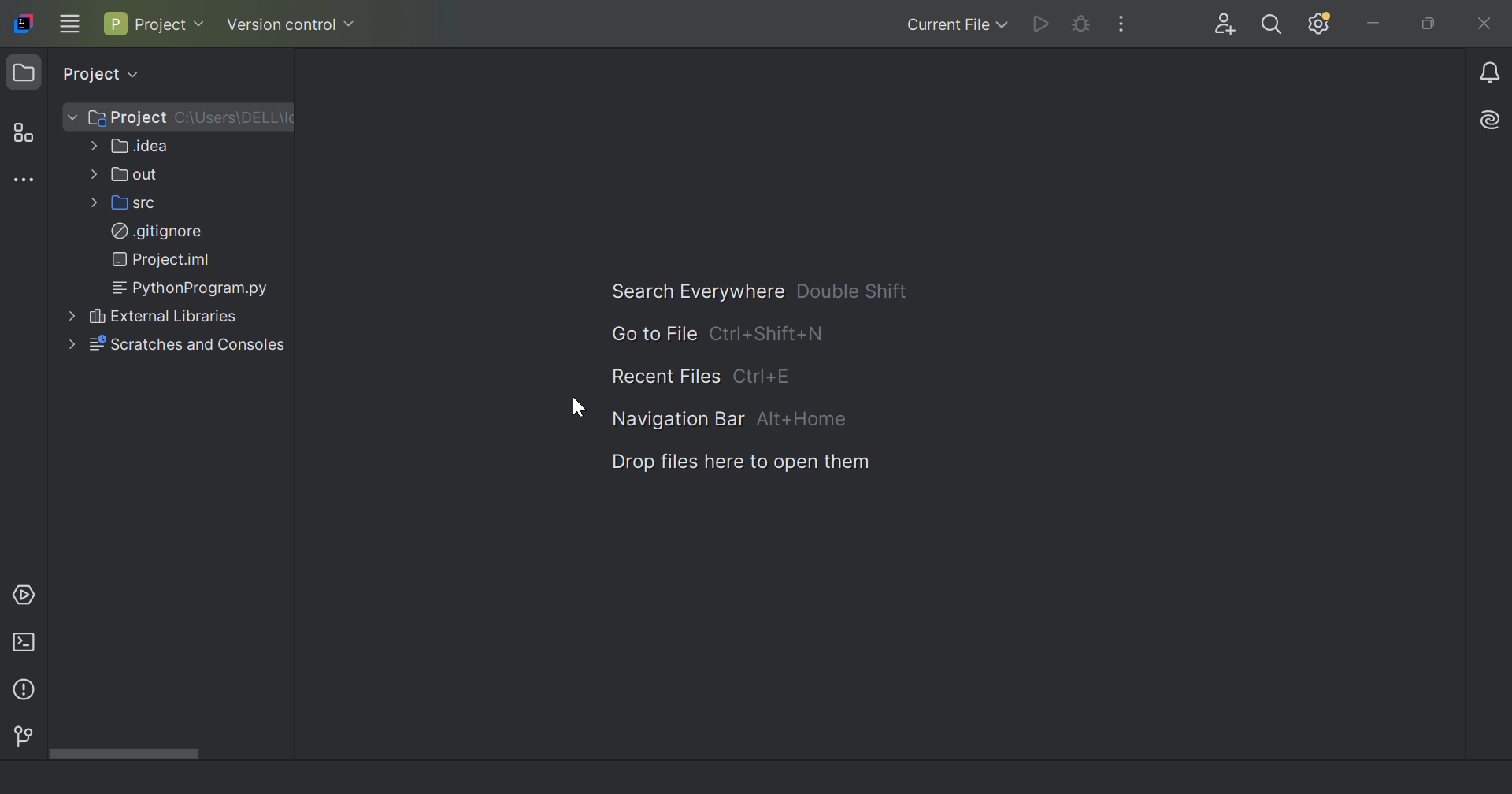 This screenshot has width=1512, height=794. What do you see at coordinates (232, 118) in the screenshot?
I see `C:\Users\DELL\I` at bounding box center [232, 118].